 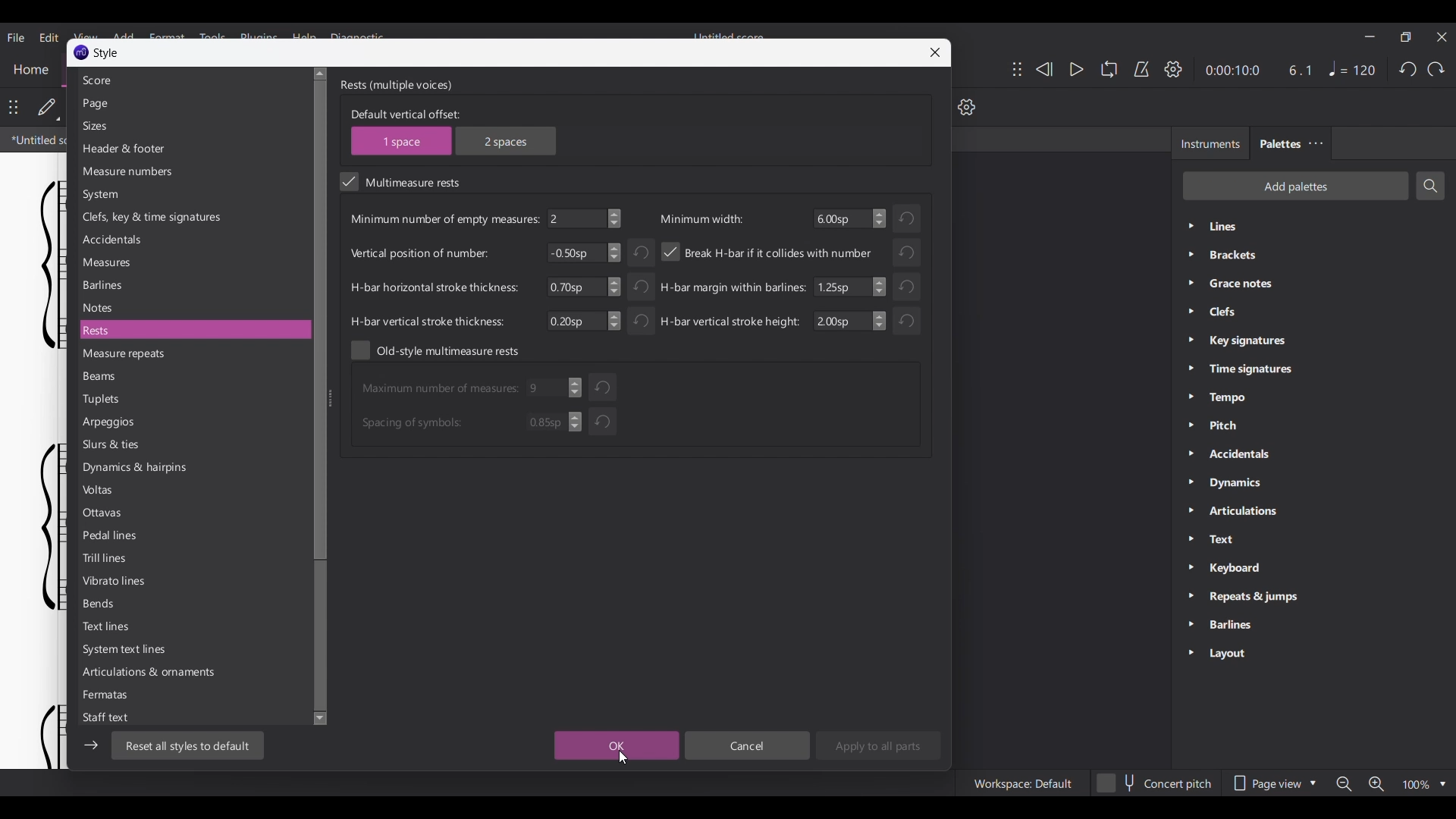 What do you see at coordinates (192, 195) in the screenshot?
I see `System` at bounding box center [192, 195].